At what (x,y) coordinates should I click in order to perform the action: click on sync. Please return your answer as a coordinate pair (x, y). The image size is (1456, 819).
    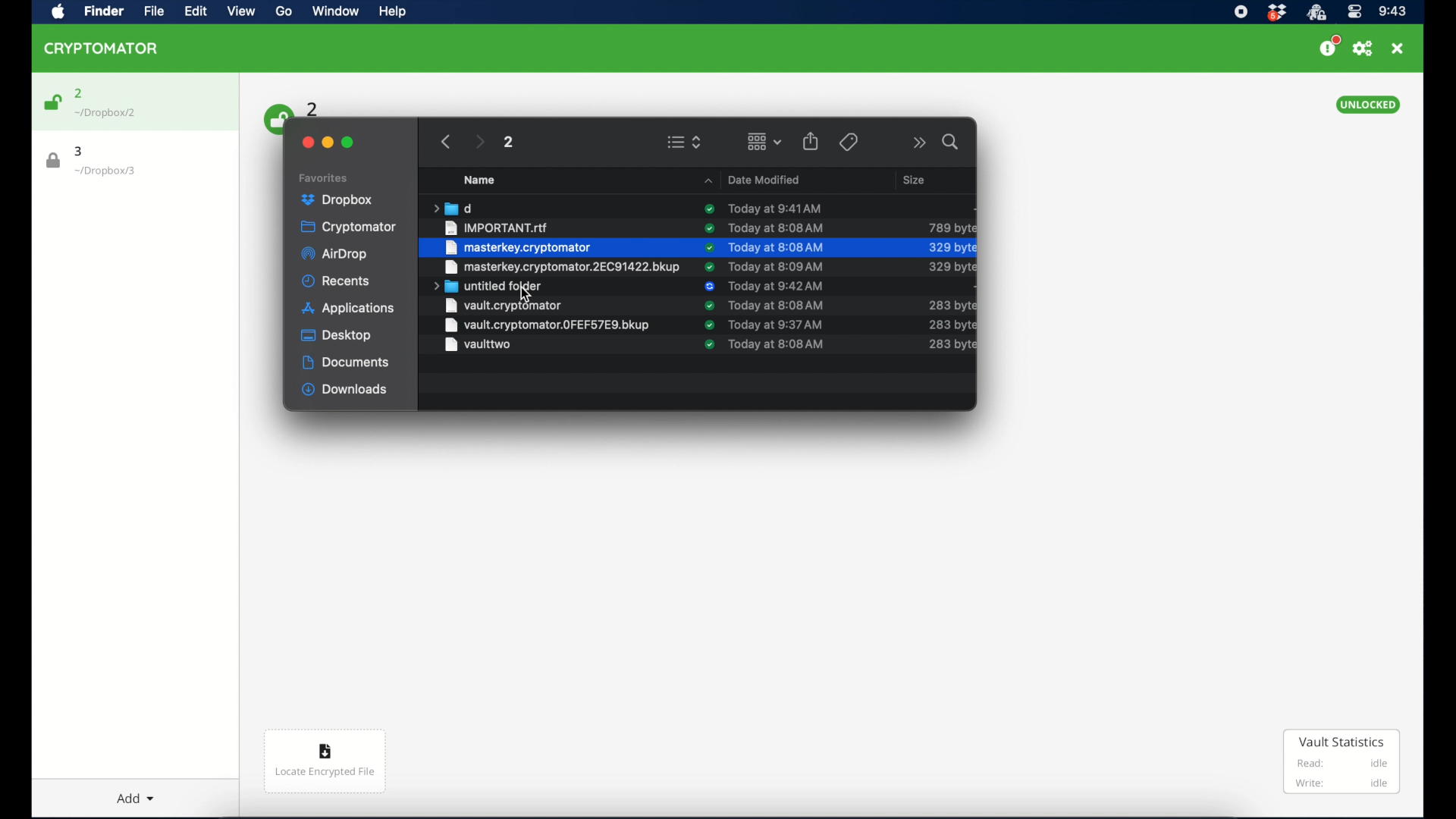
    Looking at the image, I should click on (710, 266).